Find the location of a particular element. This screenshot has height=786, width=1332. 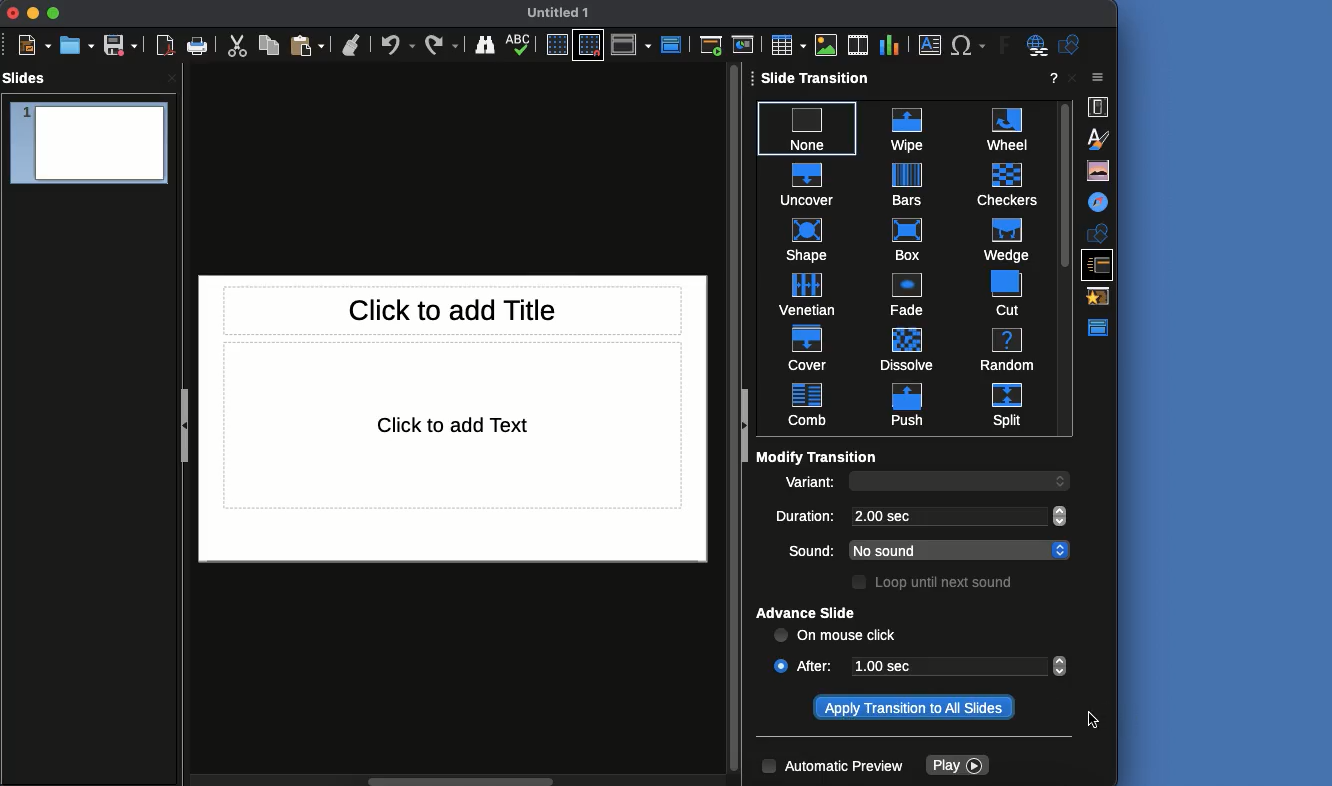

Export as PDF is located at coordinates (166, 46).